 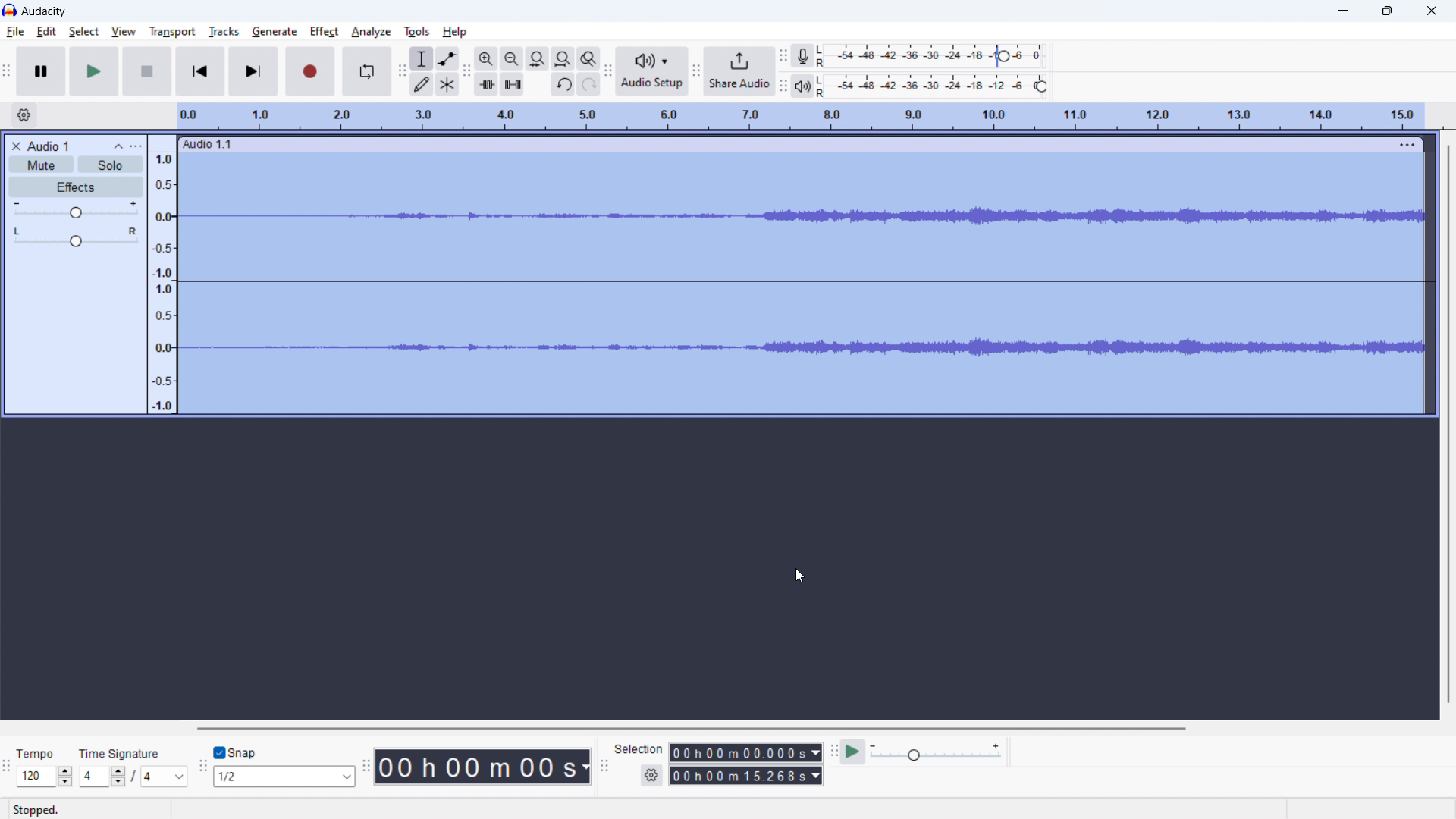 What do you see at coordinates (563, 84) in the screenshot?
I see `undo` at bounding box center [563, 84].